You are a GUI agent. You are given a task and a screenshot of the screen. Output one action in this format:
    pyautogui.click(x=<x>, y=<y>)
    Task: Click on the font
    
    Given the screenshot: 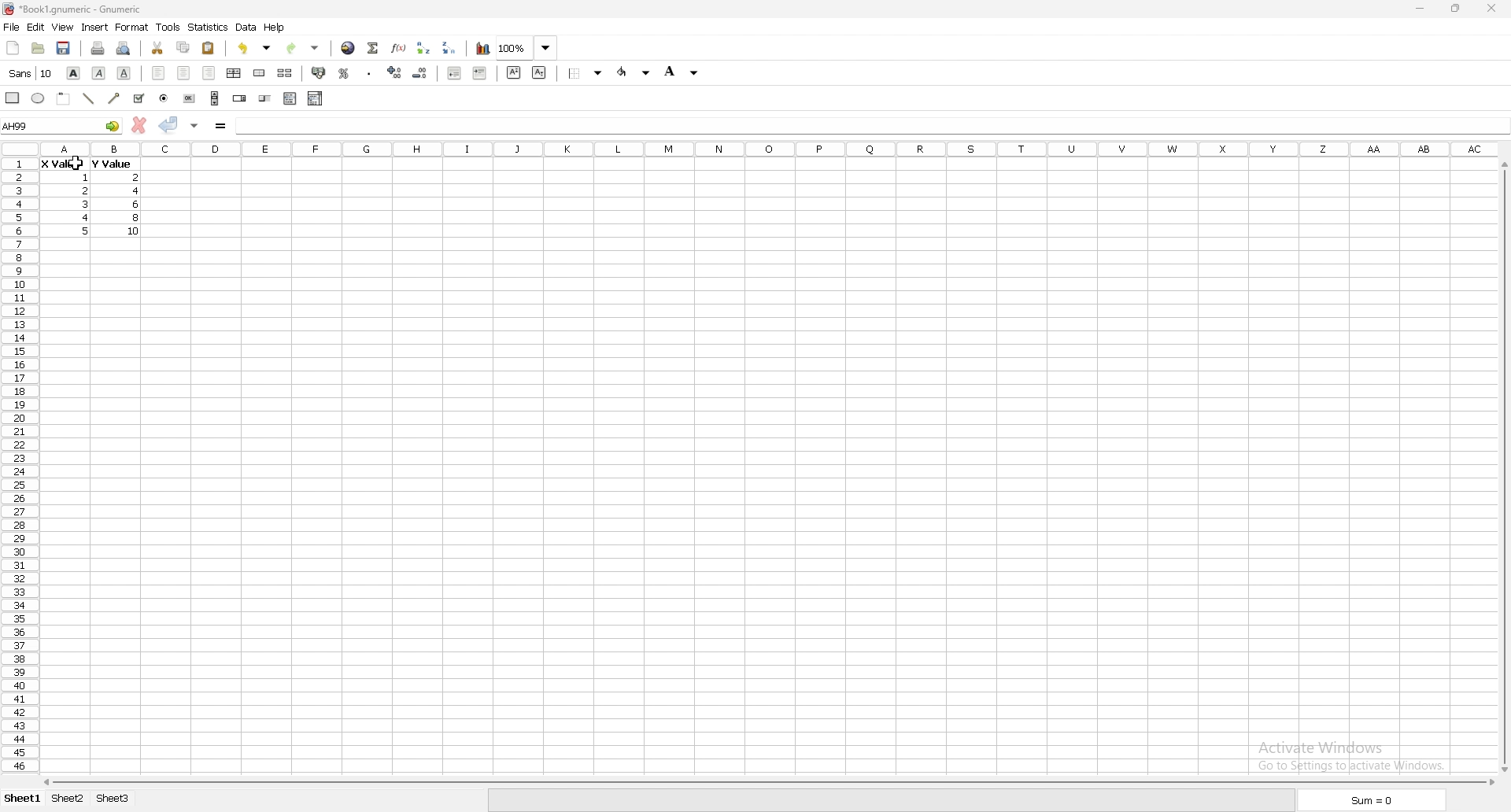 What is the action you would take?
    pyautogui.click(x=31, y=73)
    